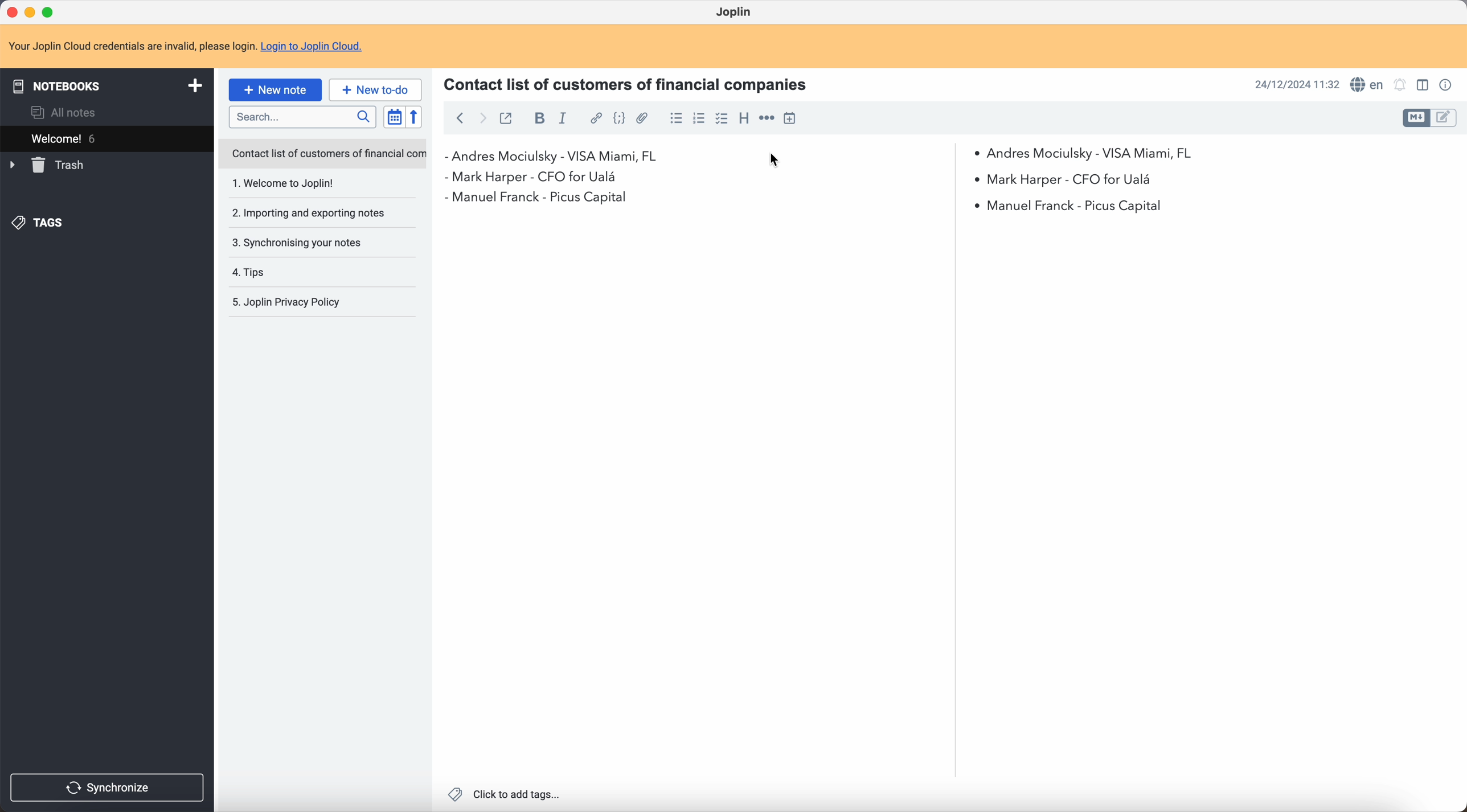  I want to click on trash, so click(48, 165).